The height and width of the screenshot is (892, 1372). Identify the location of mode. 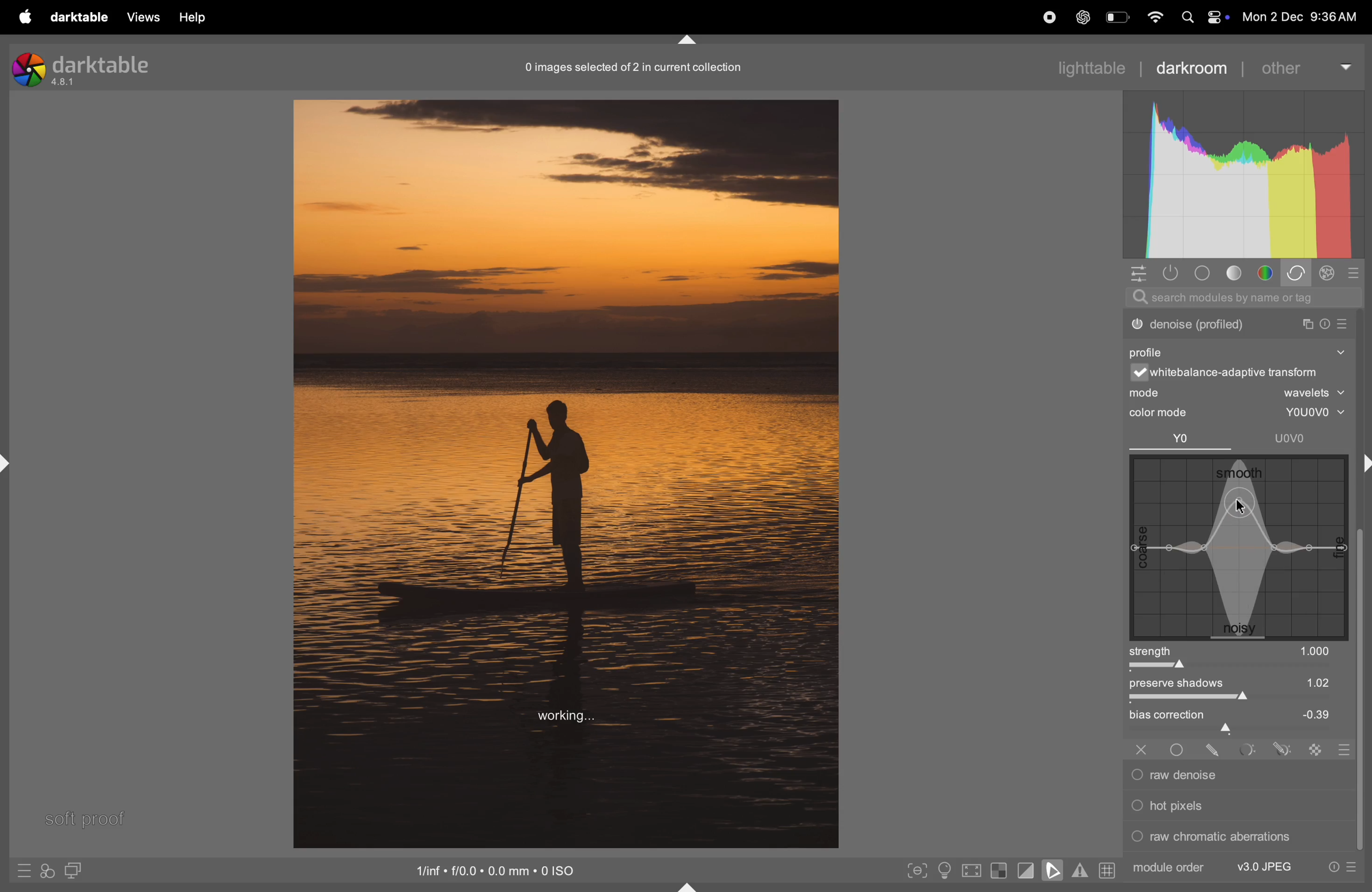
(1239, 394).